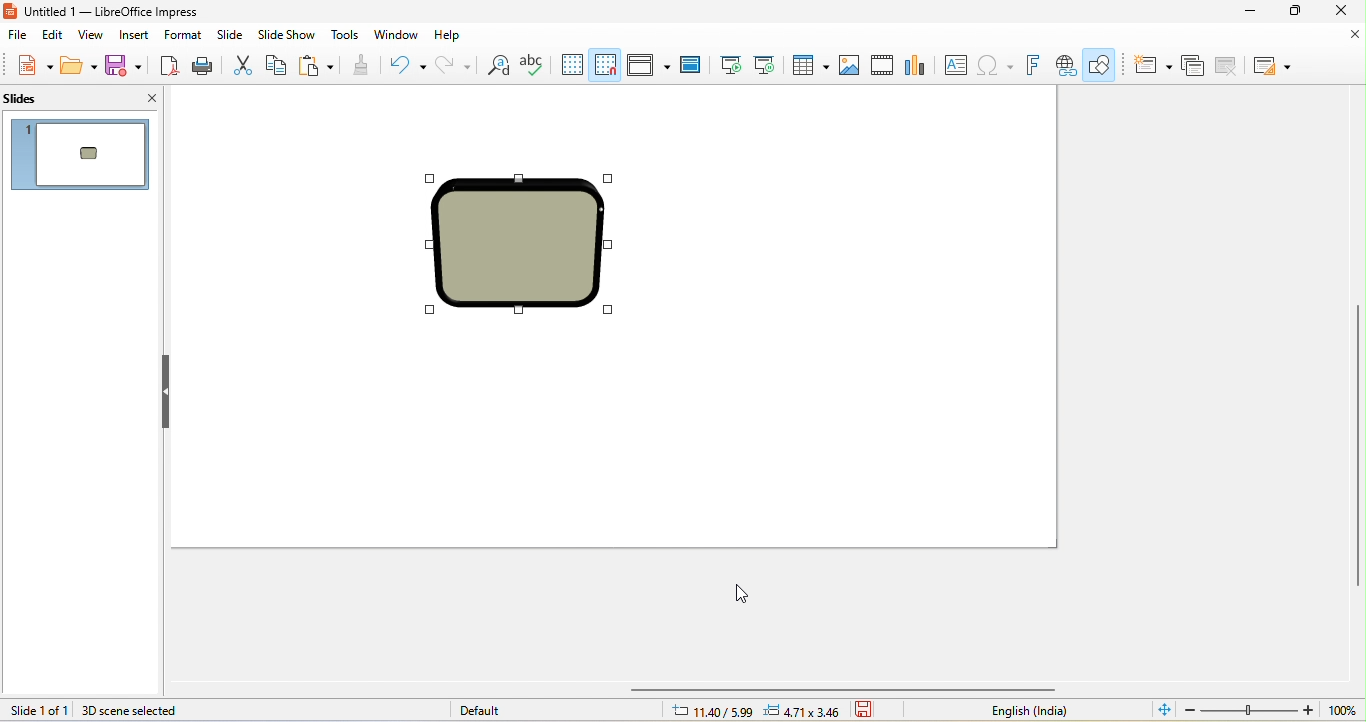 The width and height of the screenshot is (1366, 722). Describe the element at coordinates (125, 64) in the screenshot. I see `save` at that location.